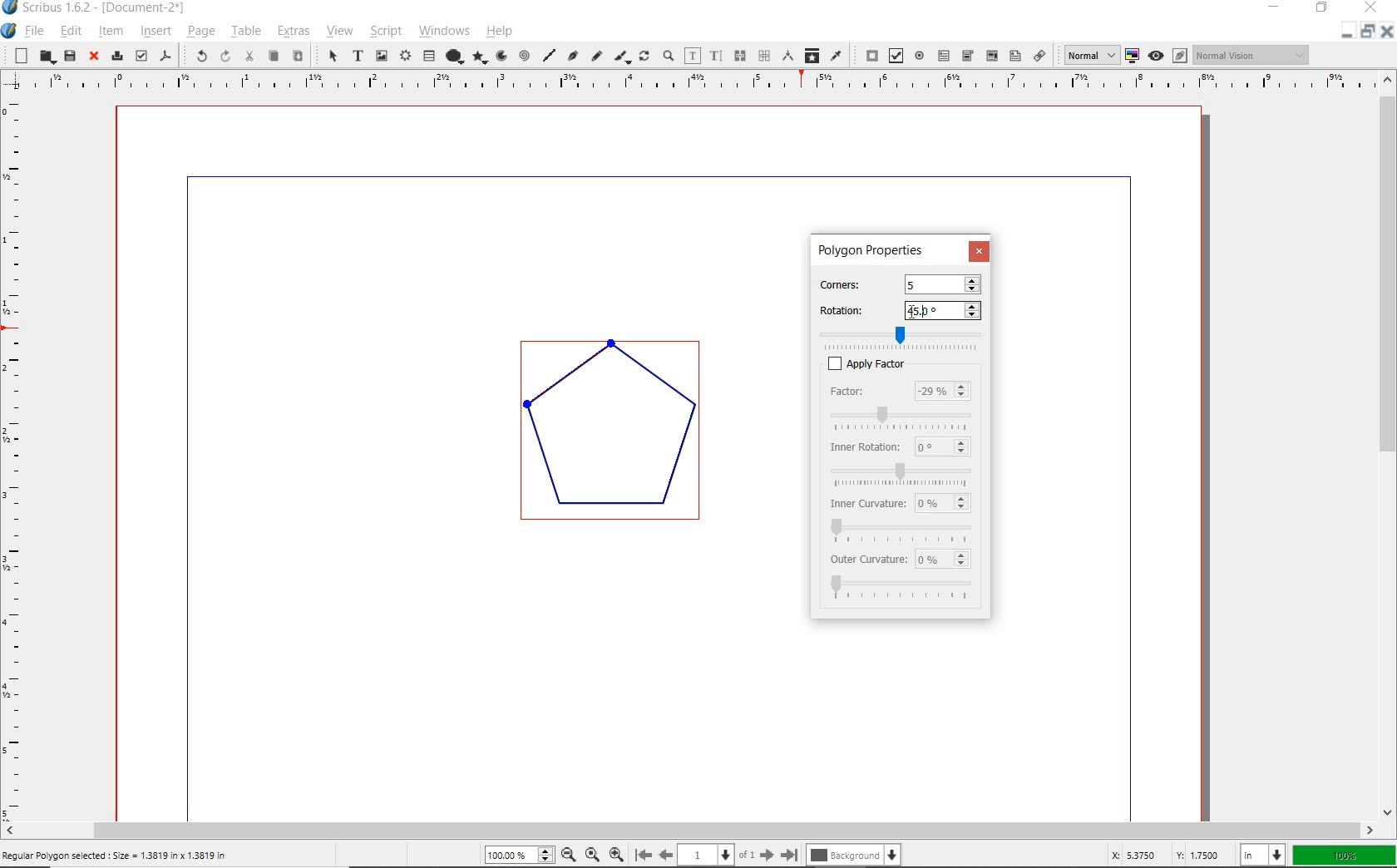 This screenshot has width=1397, height=868. I want to click on eye dropper, so click(837, 55).